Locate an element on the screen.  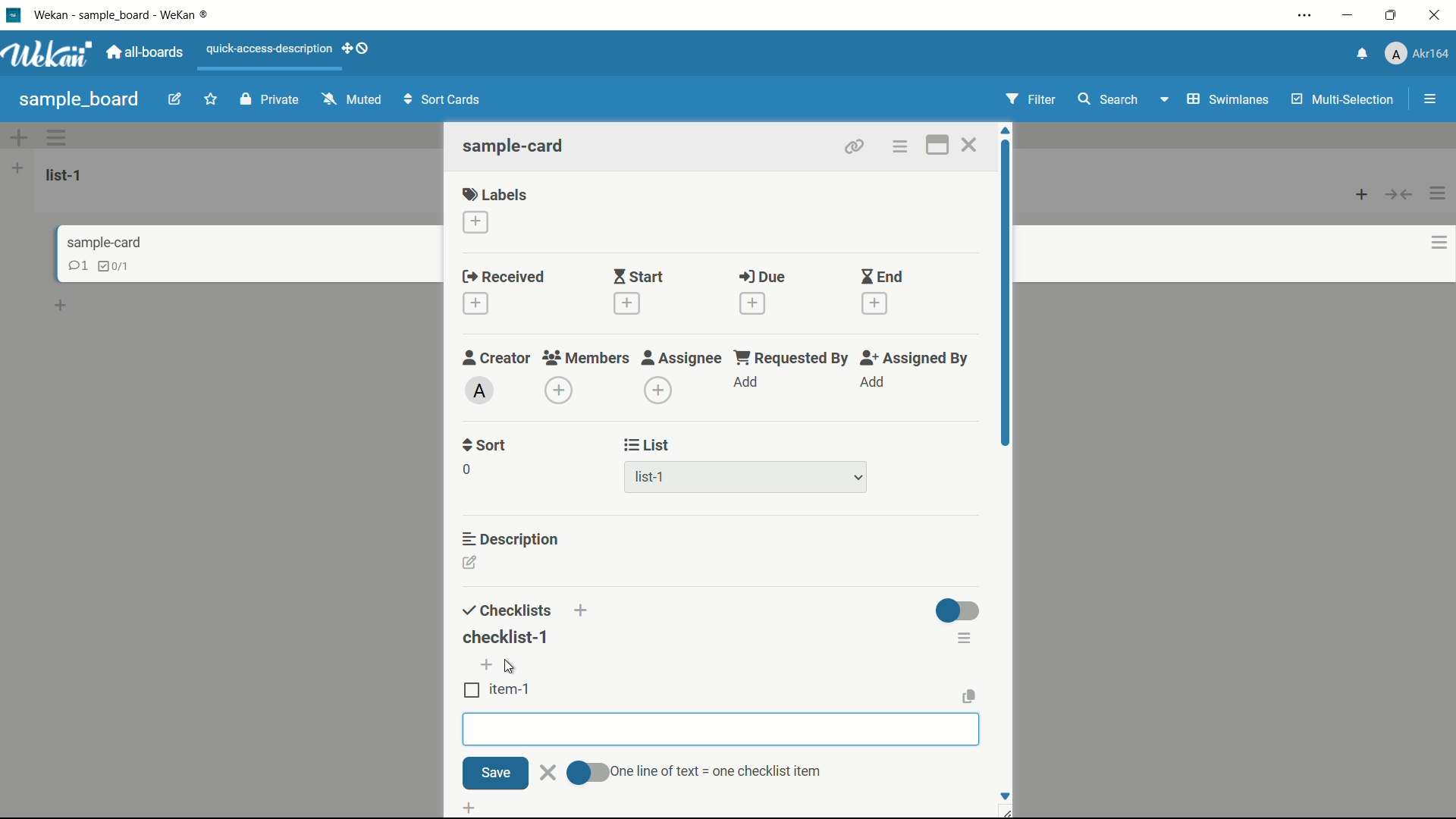
add is located at coordinates (1357, 196).